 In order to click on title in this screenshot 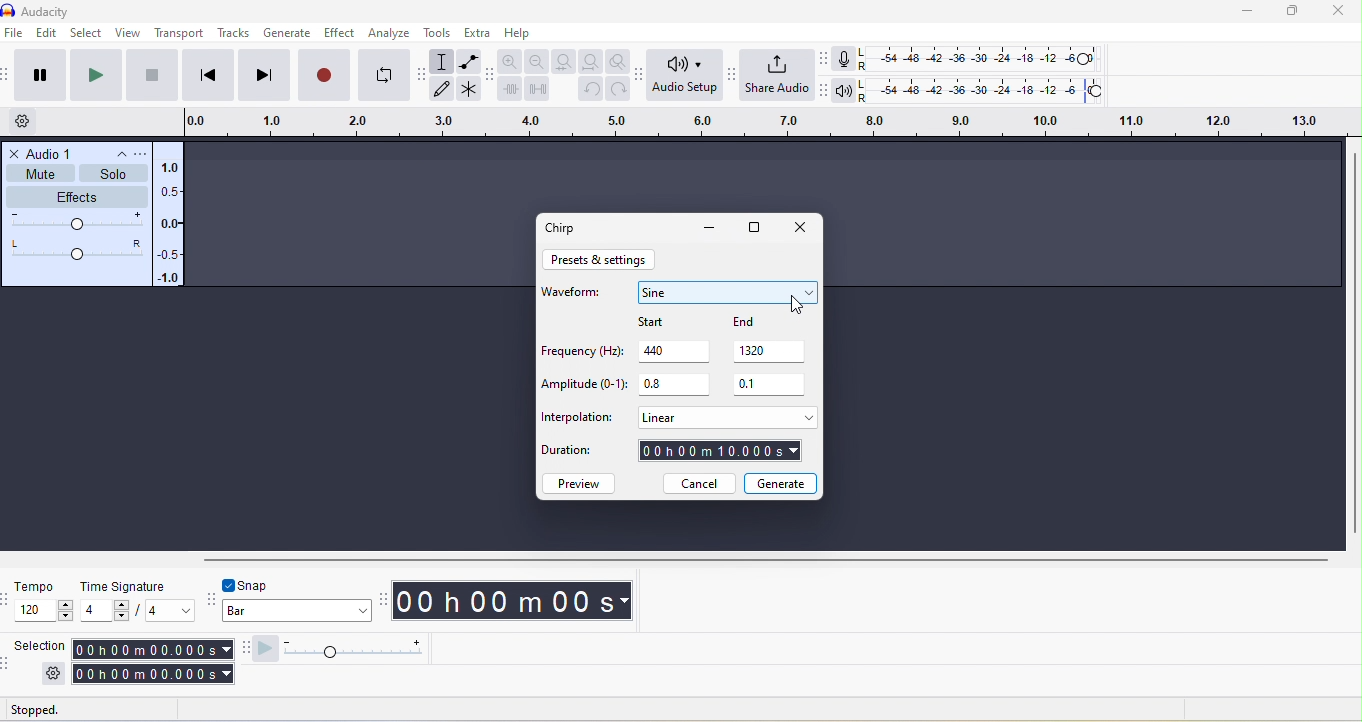, I will do `click(66, 10)`.